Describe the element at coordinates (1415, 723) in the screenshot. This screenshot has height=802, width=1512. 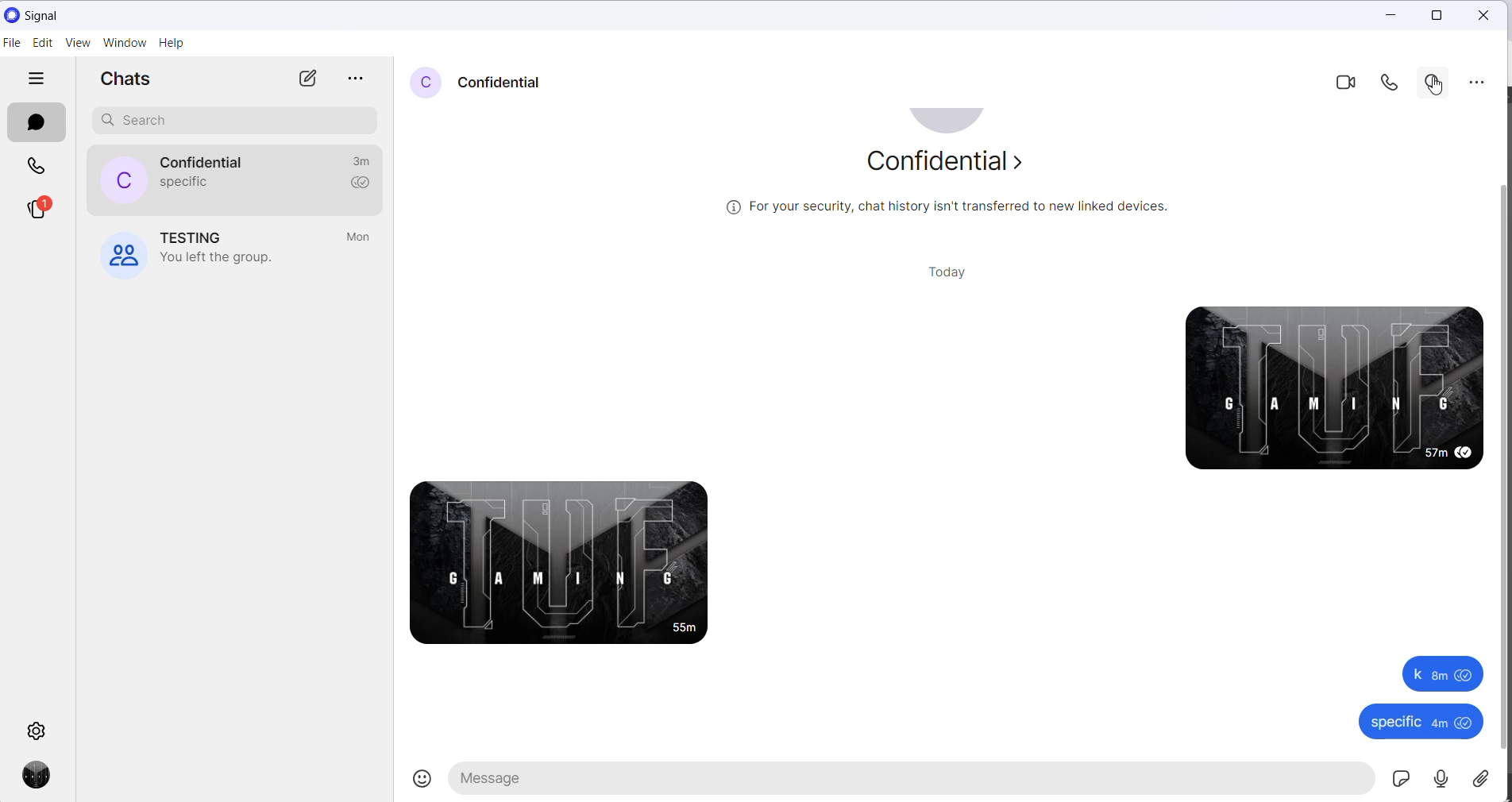
I see `specific` at that location.